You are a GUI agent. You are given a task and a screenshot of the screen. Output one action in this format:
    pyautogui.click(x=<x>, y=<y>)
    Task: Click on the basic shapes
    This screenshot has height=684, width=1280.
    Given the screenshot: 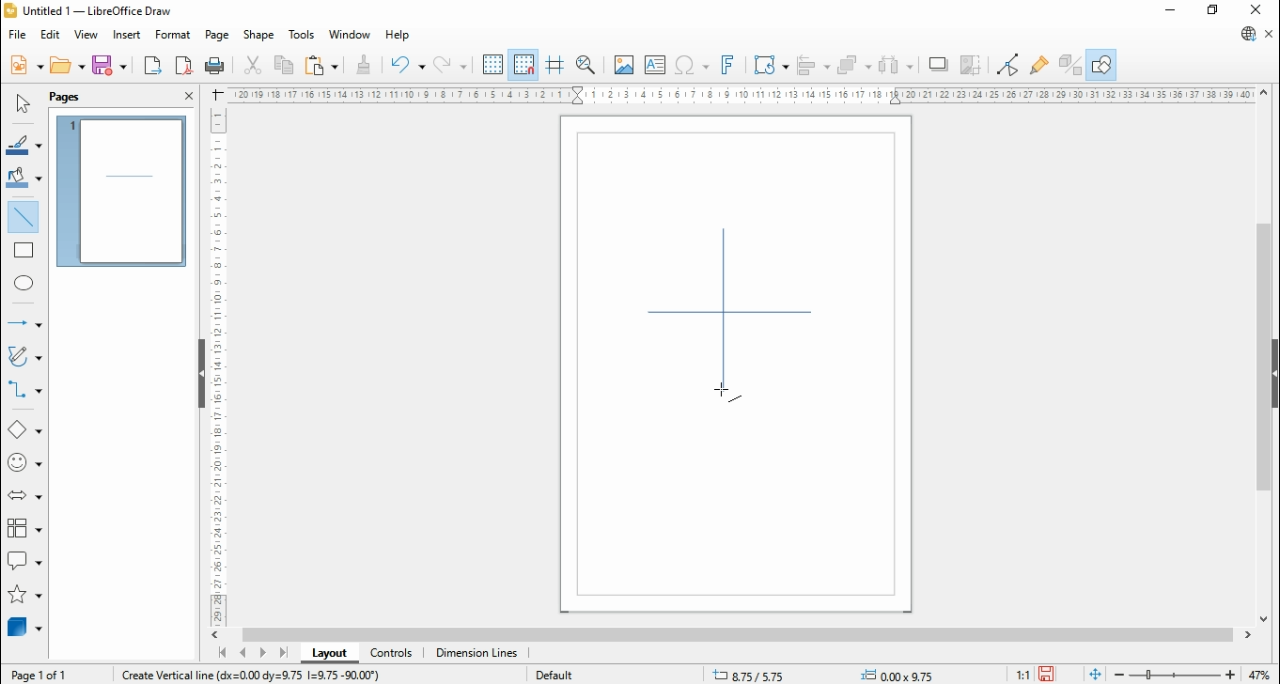 What is the action you would take?
    pyautogui.click(x=24, y=430)
    